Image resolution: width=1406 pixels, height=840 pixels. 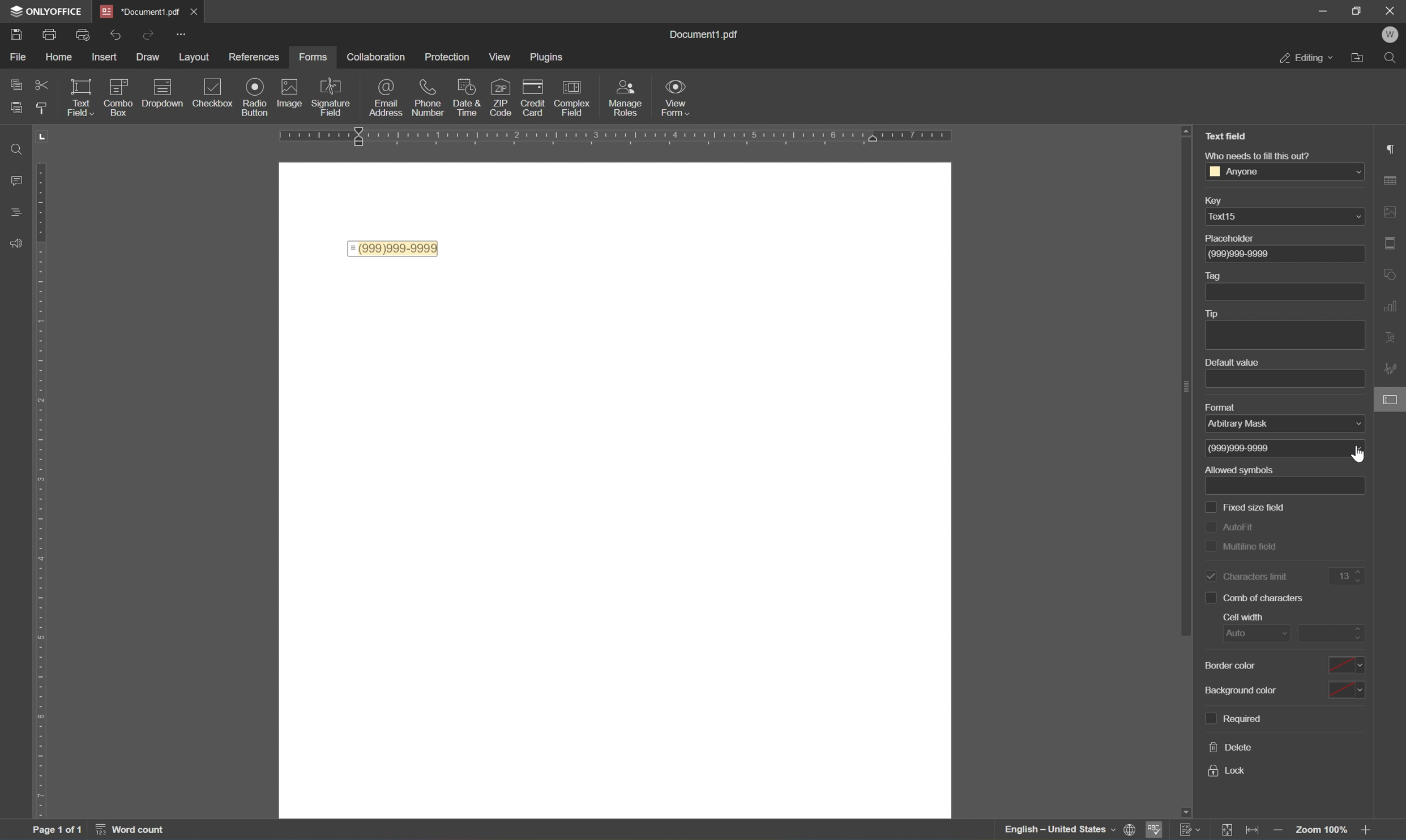 What do you see at coordinates (216, 92) in the screenshot?
I see `checkbox` at bounding box center [216, 92].